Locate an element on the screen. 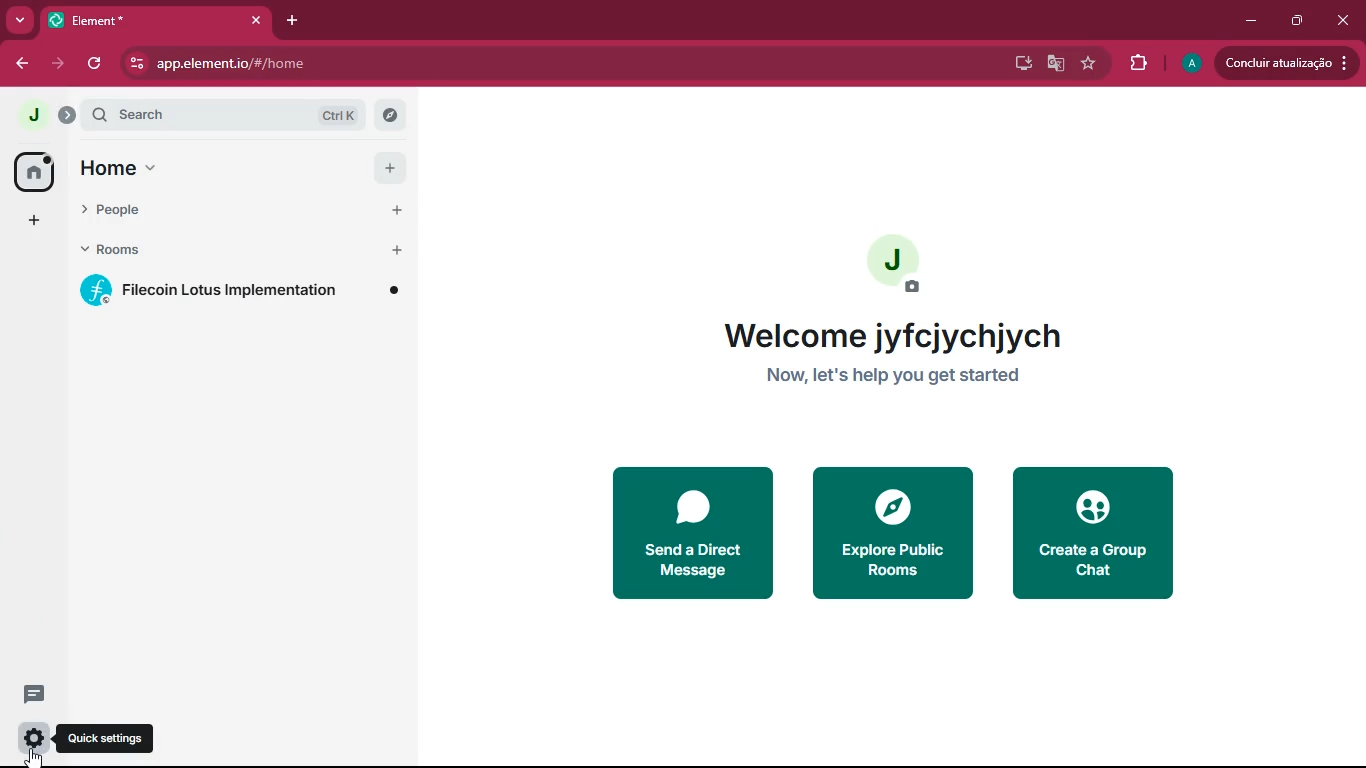 Image resolution: width=1366 pixels, height=768 pixels. close is located at coordinates (1346, 24).